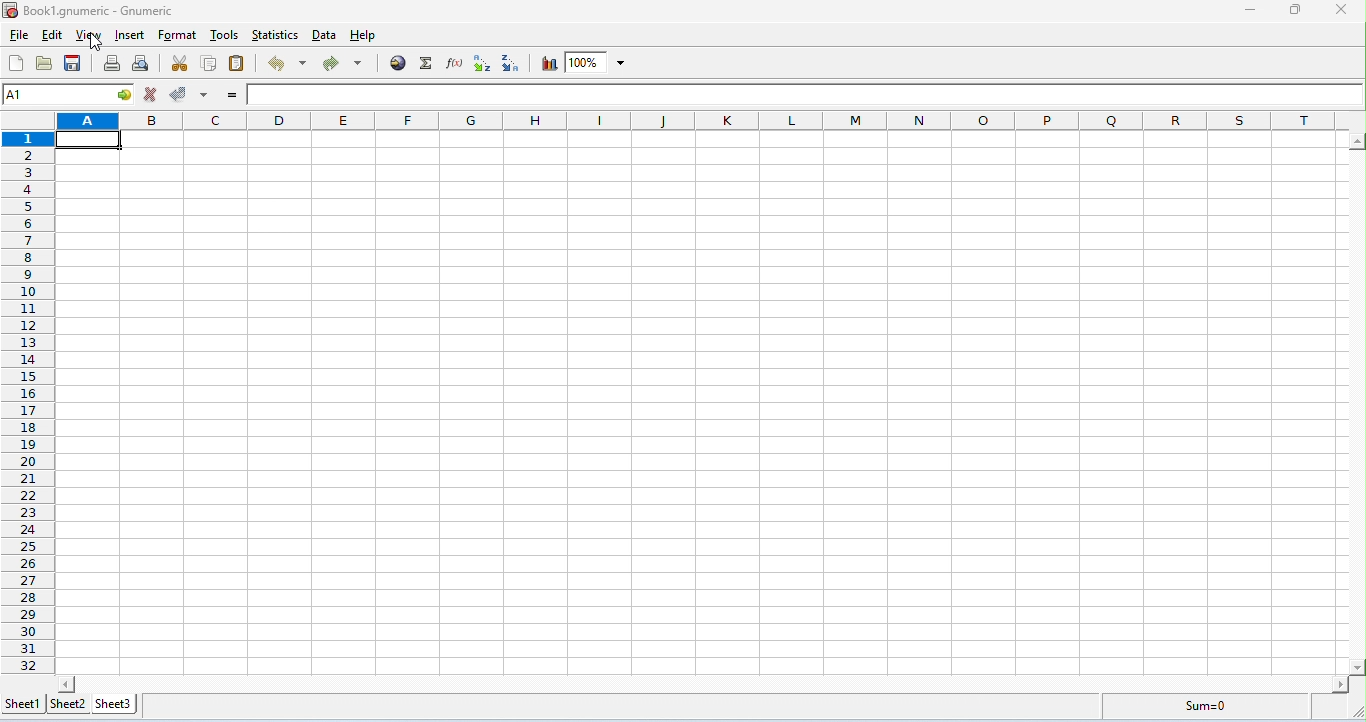 This screenshot has width=1366, height=722. Describe the element at coordinates (1356, 401) in the screenshot. I see `space for vertical scroll bar` at that location.